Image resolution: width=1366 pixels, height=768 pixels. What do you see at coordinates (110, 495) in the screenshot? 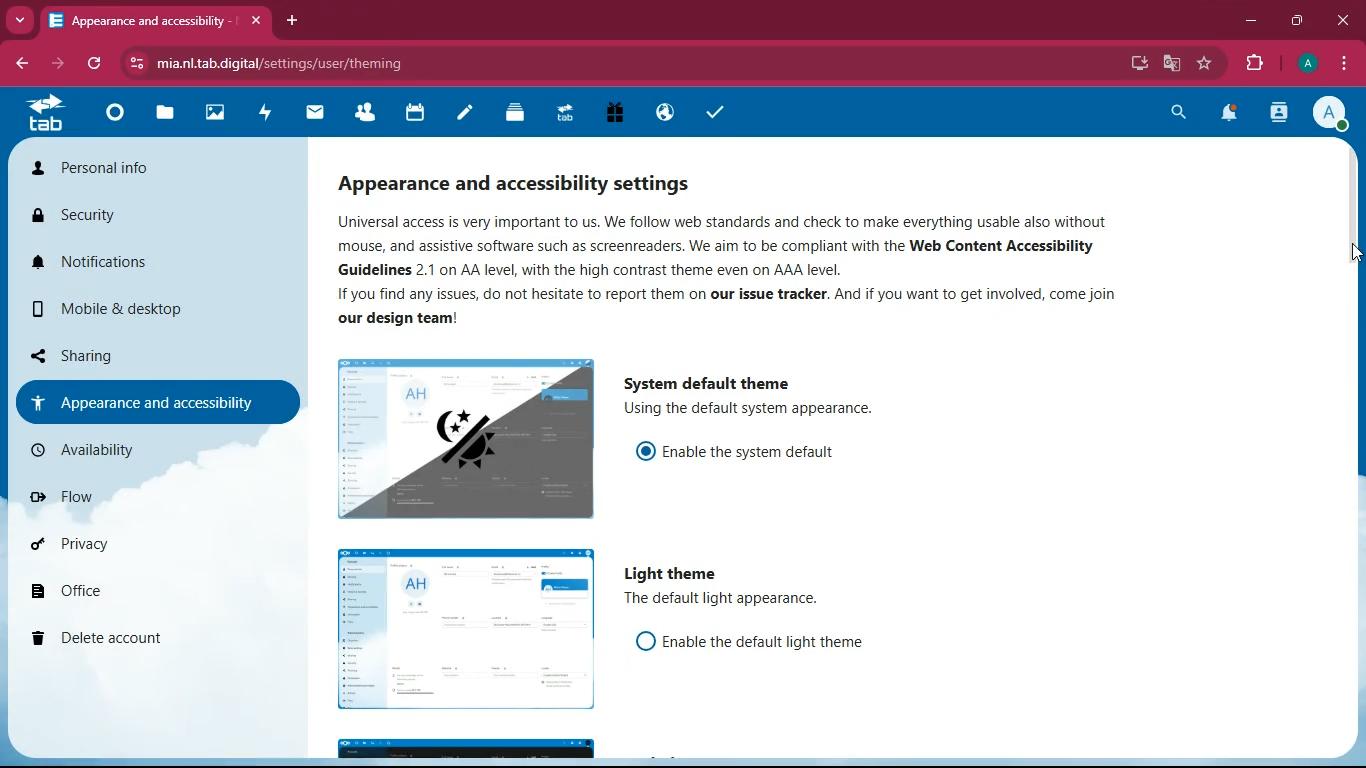
I see `flow` at bounding box center [110, 495].